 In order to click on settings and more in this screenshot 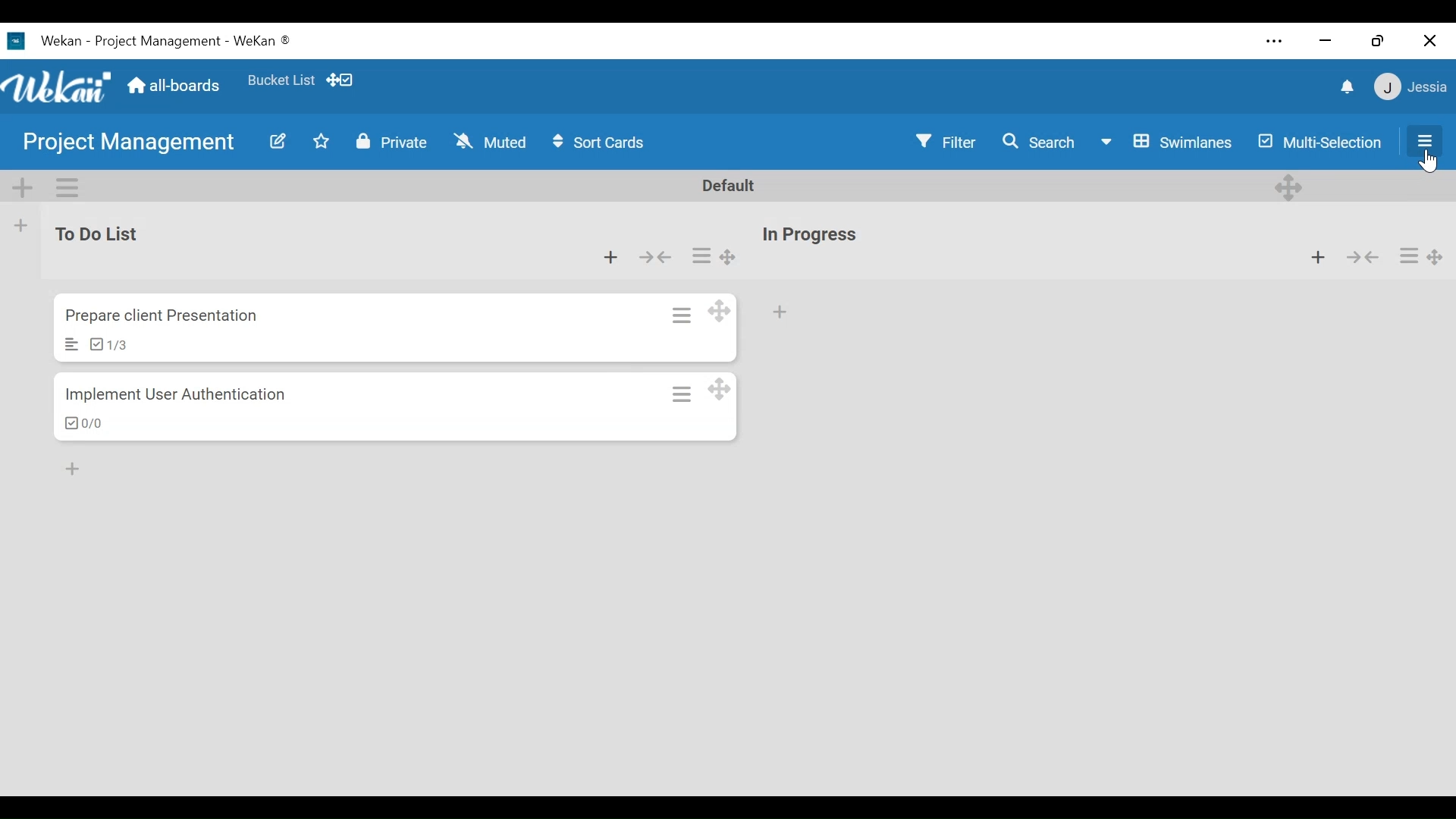, I will do `click(1275, 42)`.